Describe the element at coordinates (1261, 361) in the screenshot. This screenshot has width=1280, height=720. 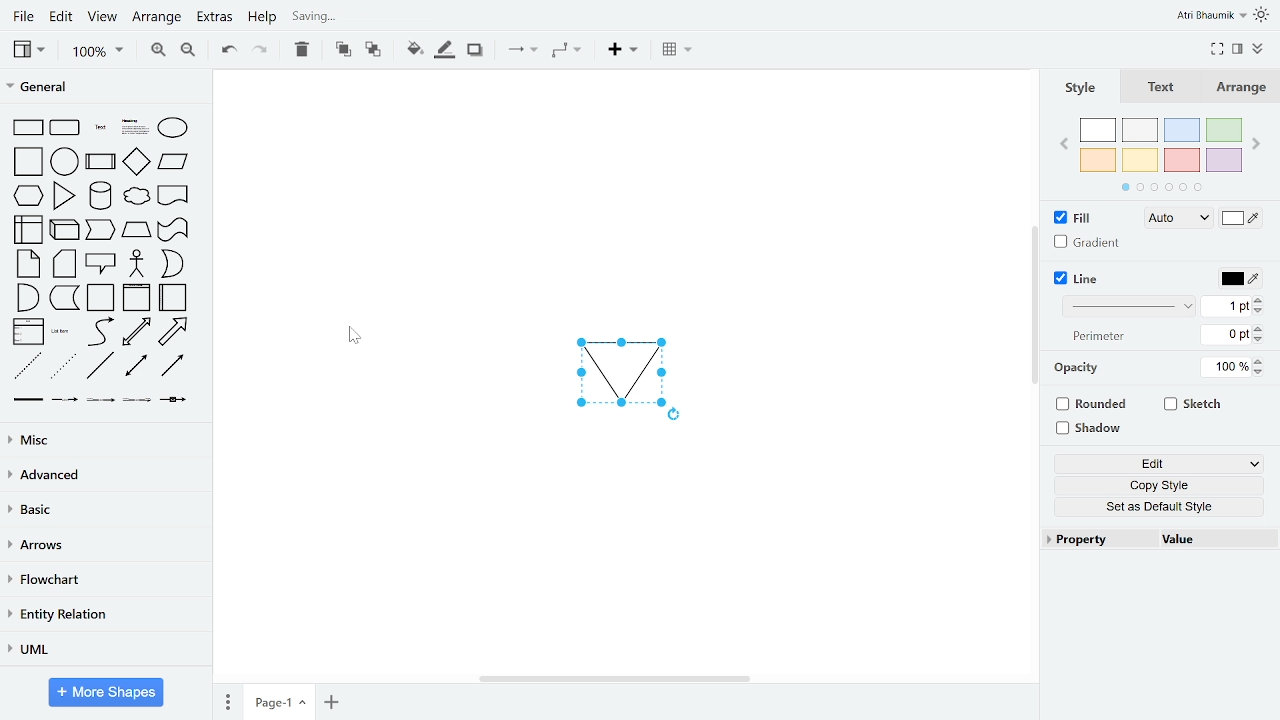
I see `increase opacity` at that location.